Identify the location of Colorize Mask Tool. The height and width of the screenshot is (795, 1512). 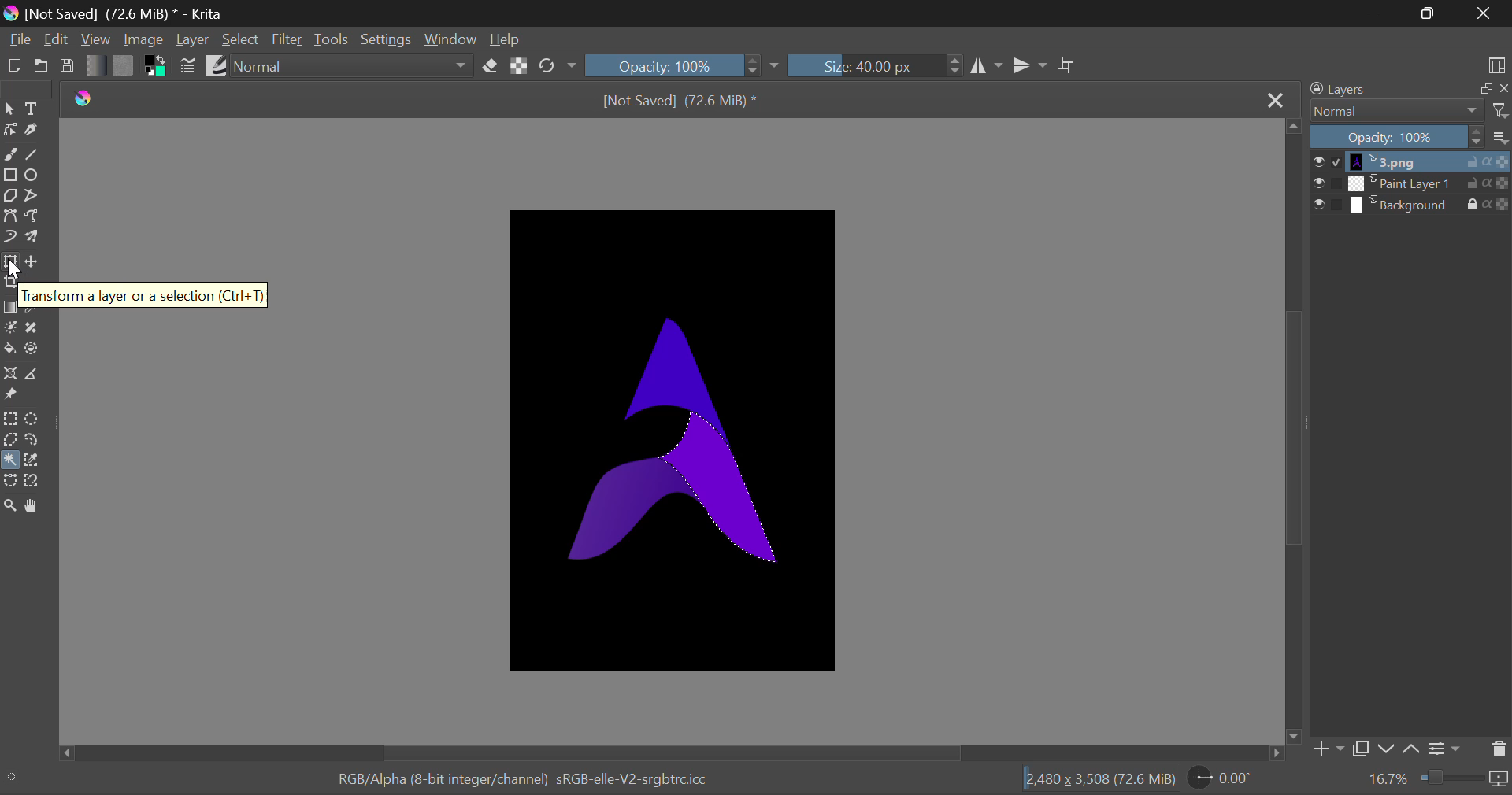
(11, 329).